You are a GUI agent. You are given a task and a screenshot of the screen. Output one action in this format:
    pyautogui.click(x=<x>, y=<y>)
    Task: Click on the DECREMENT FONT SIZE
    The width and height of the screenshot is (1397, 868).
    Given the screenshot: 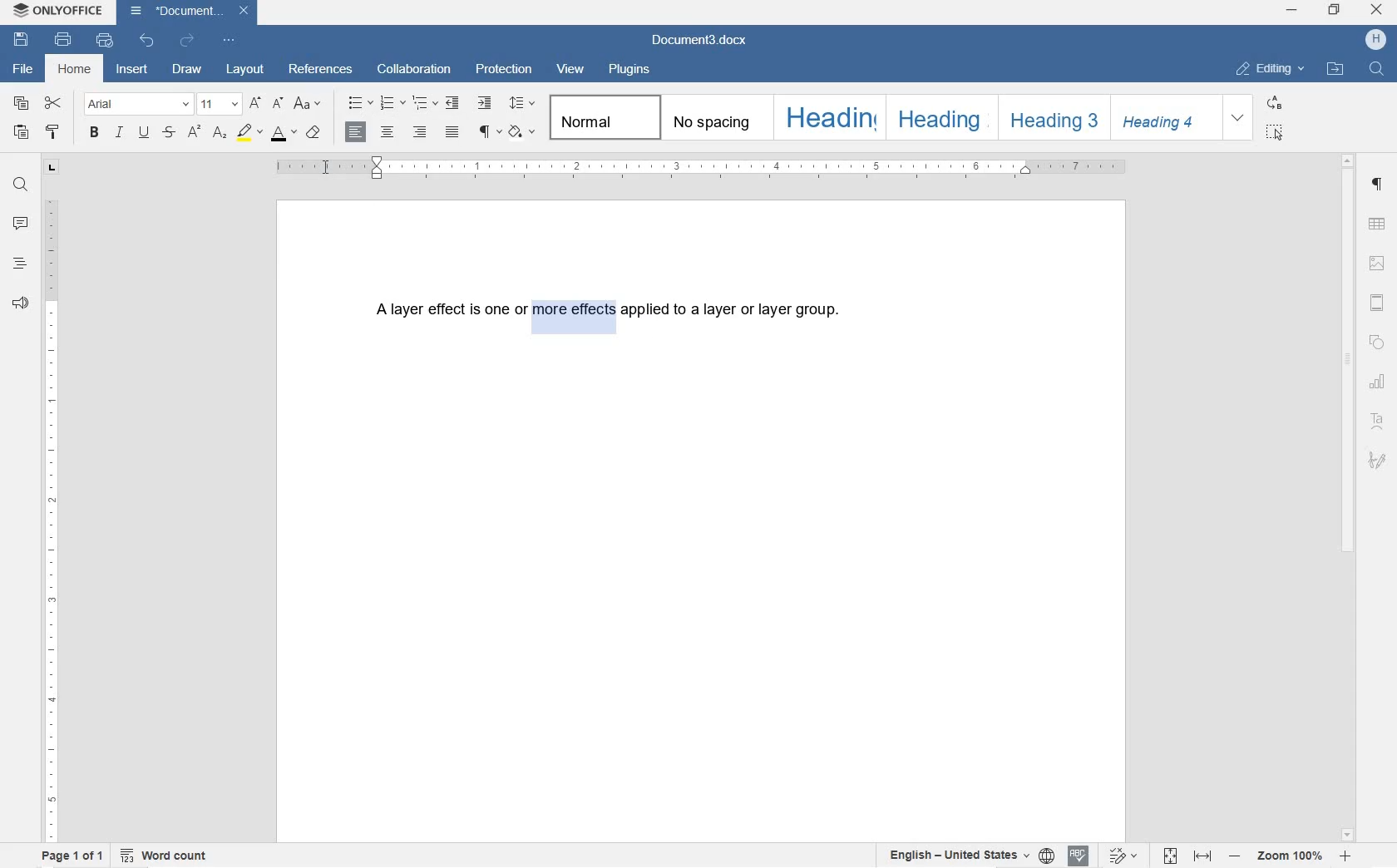 What is the action you would take?
    pyautogui.click(x=255, y=104)
    